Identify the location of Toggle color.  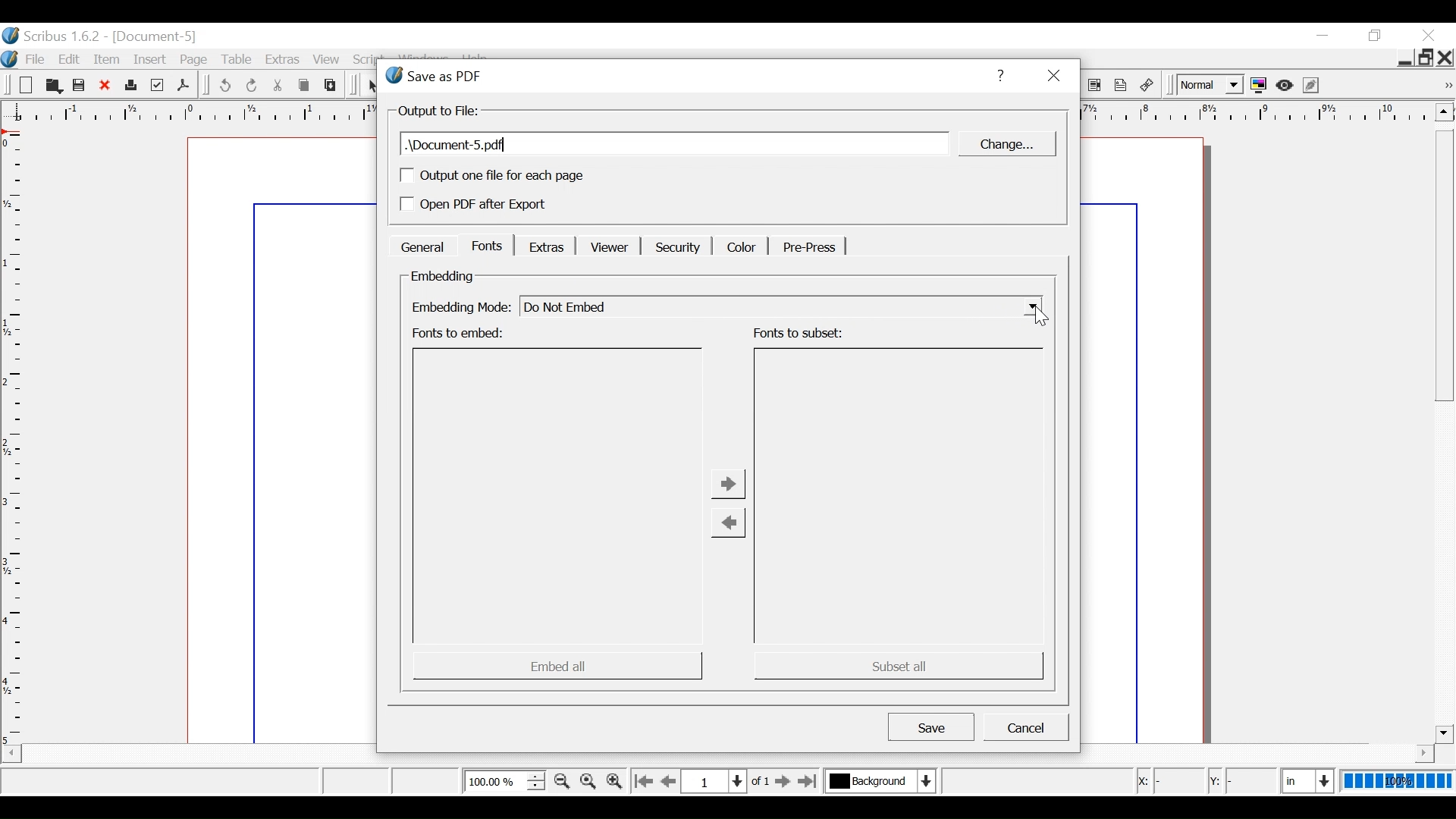
(1259, 86).